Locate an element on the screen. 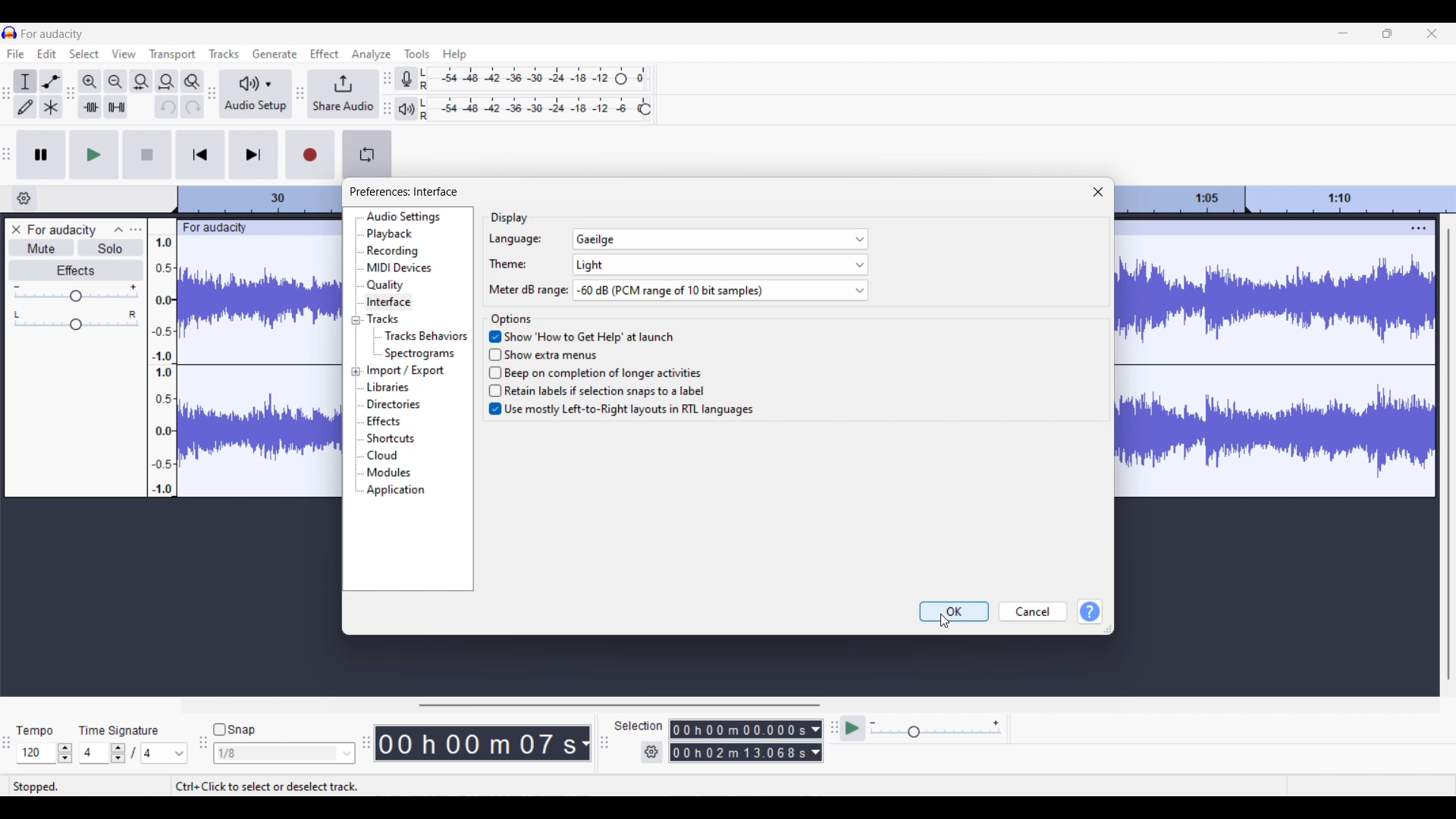  Close track is located at coordinates (16, 229).